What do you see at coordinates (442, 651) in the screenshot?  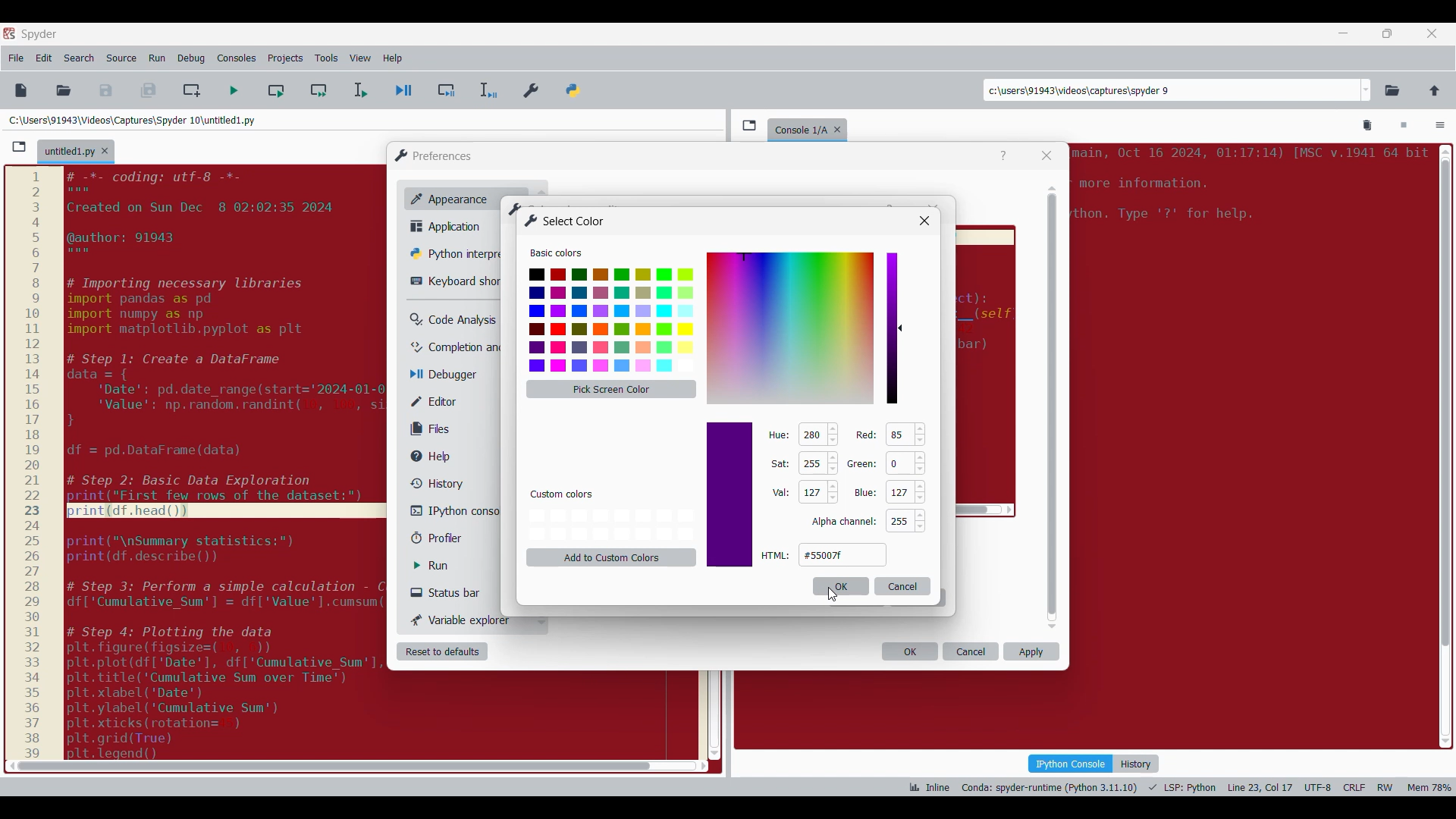 I see `Reset to defaults` at bounding box center [442, 651].